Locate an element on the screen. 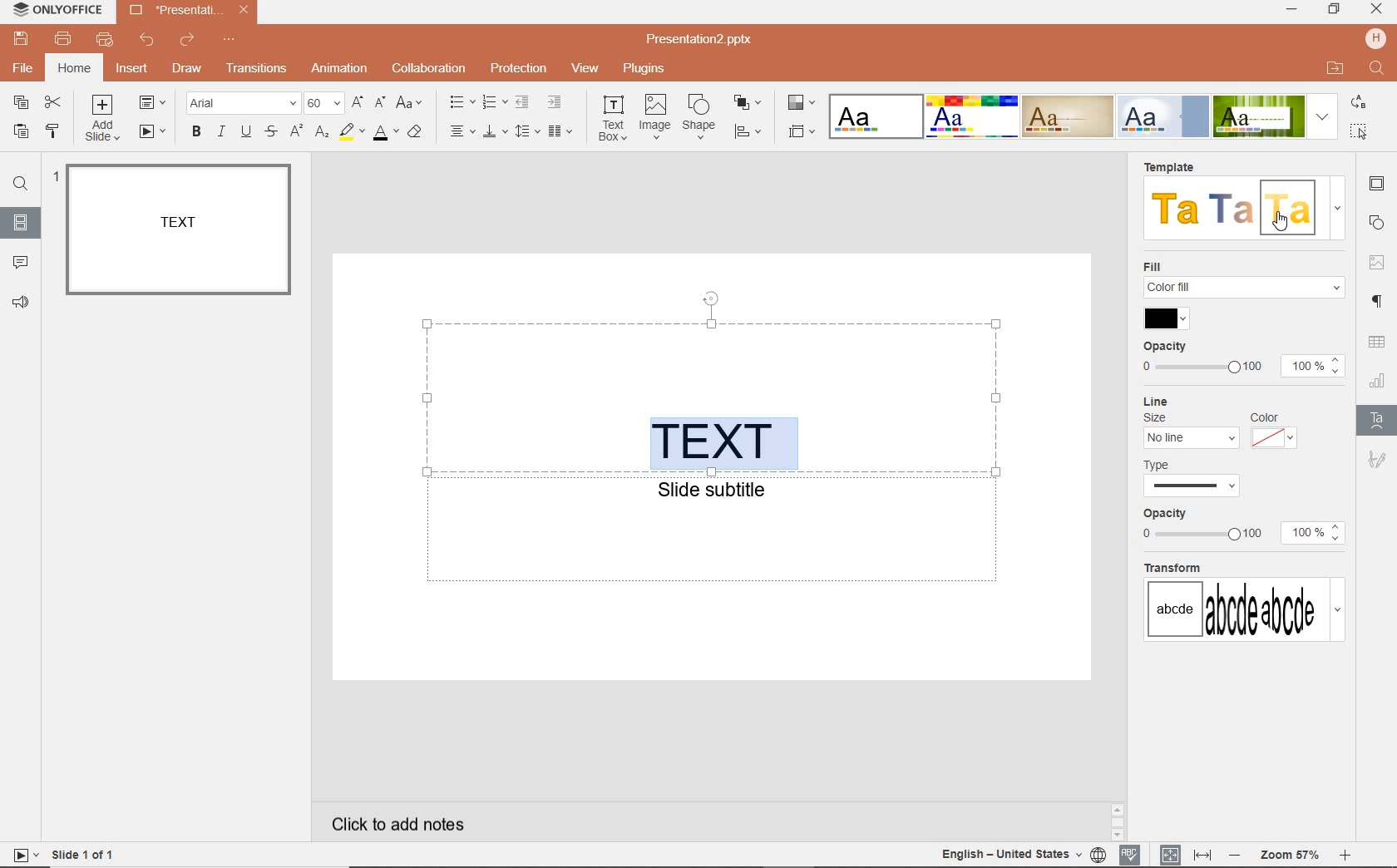 This screenshot has width=1397, height=868. VIEW is located at coordinates (586, 70).